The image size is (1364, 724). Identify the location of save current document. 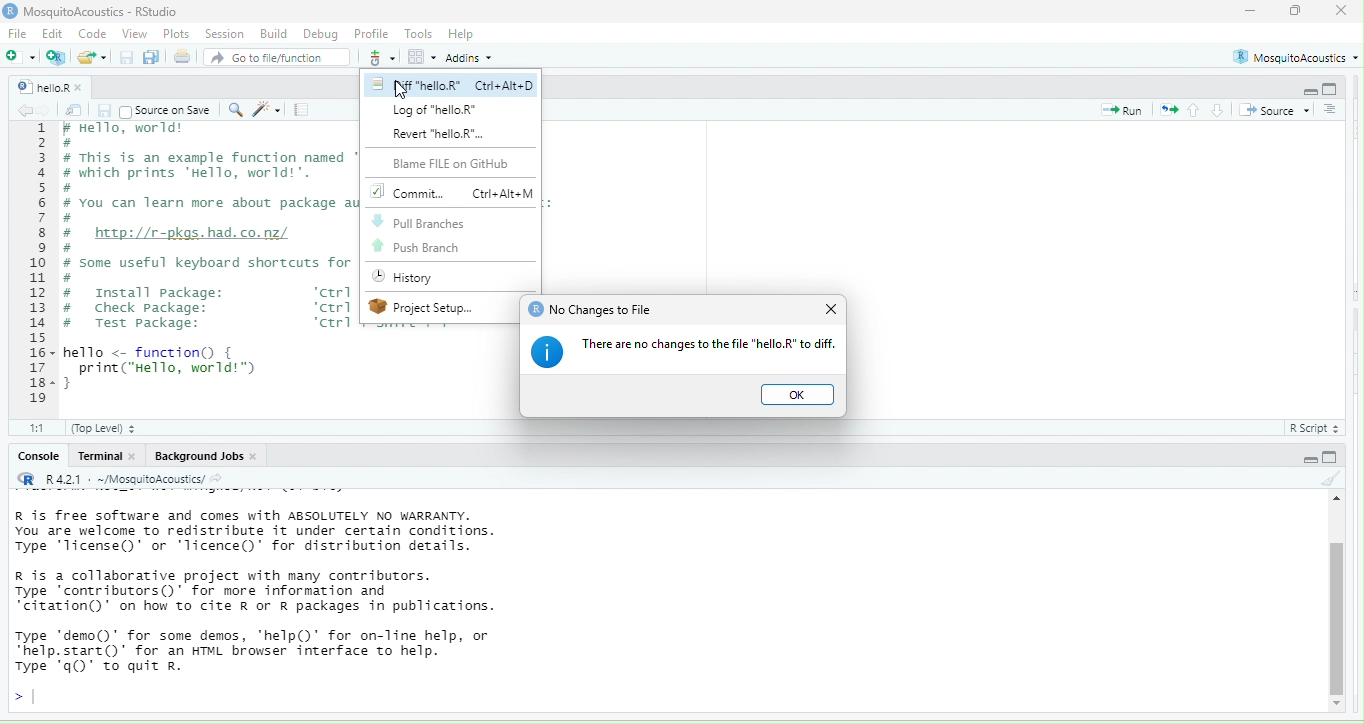
(104, 110).